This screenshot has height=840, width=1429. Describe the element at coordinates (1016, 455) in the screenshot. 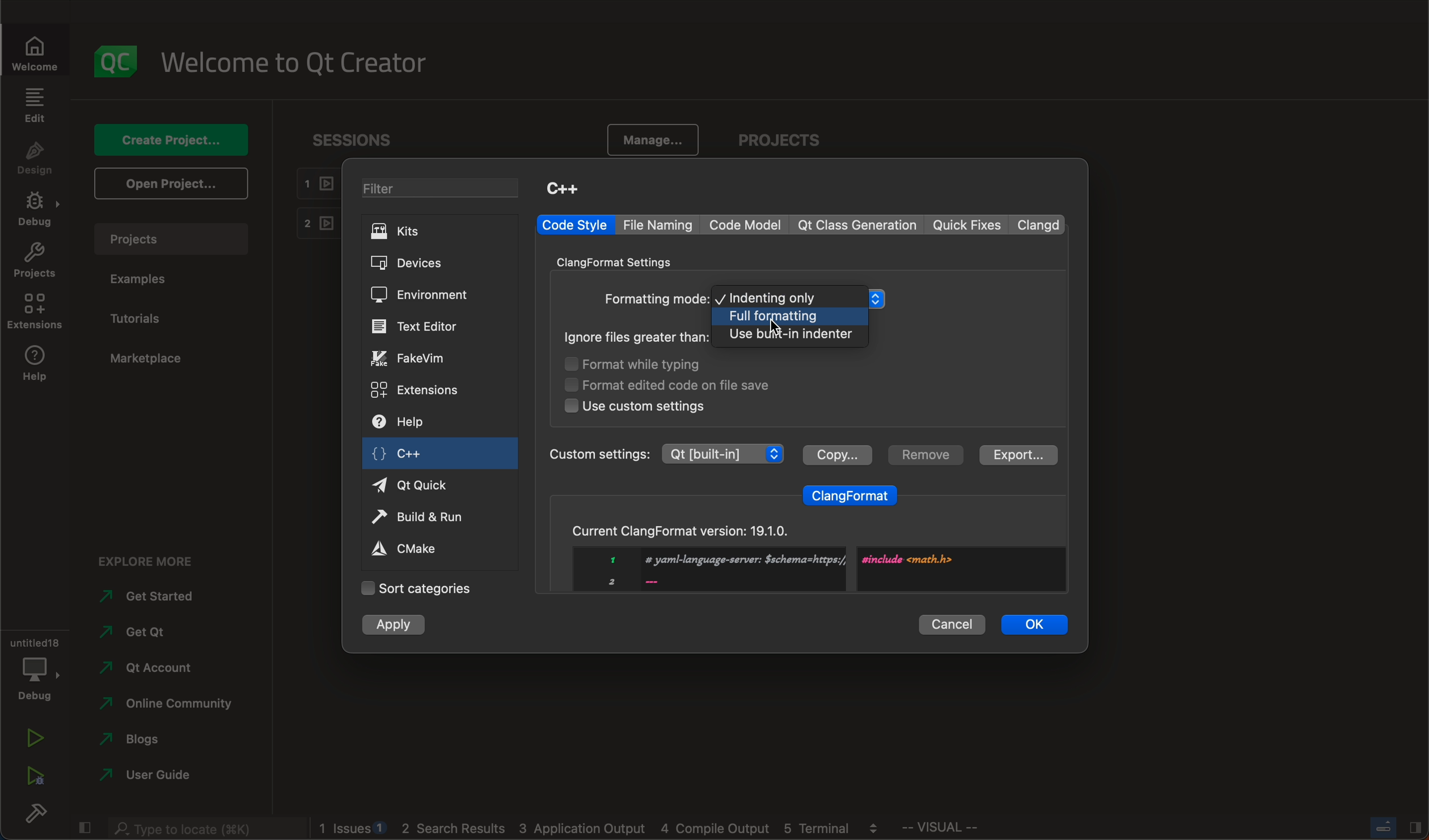

I see `export` at that location.